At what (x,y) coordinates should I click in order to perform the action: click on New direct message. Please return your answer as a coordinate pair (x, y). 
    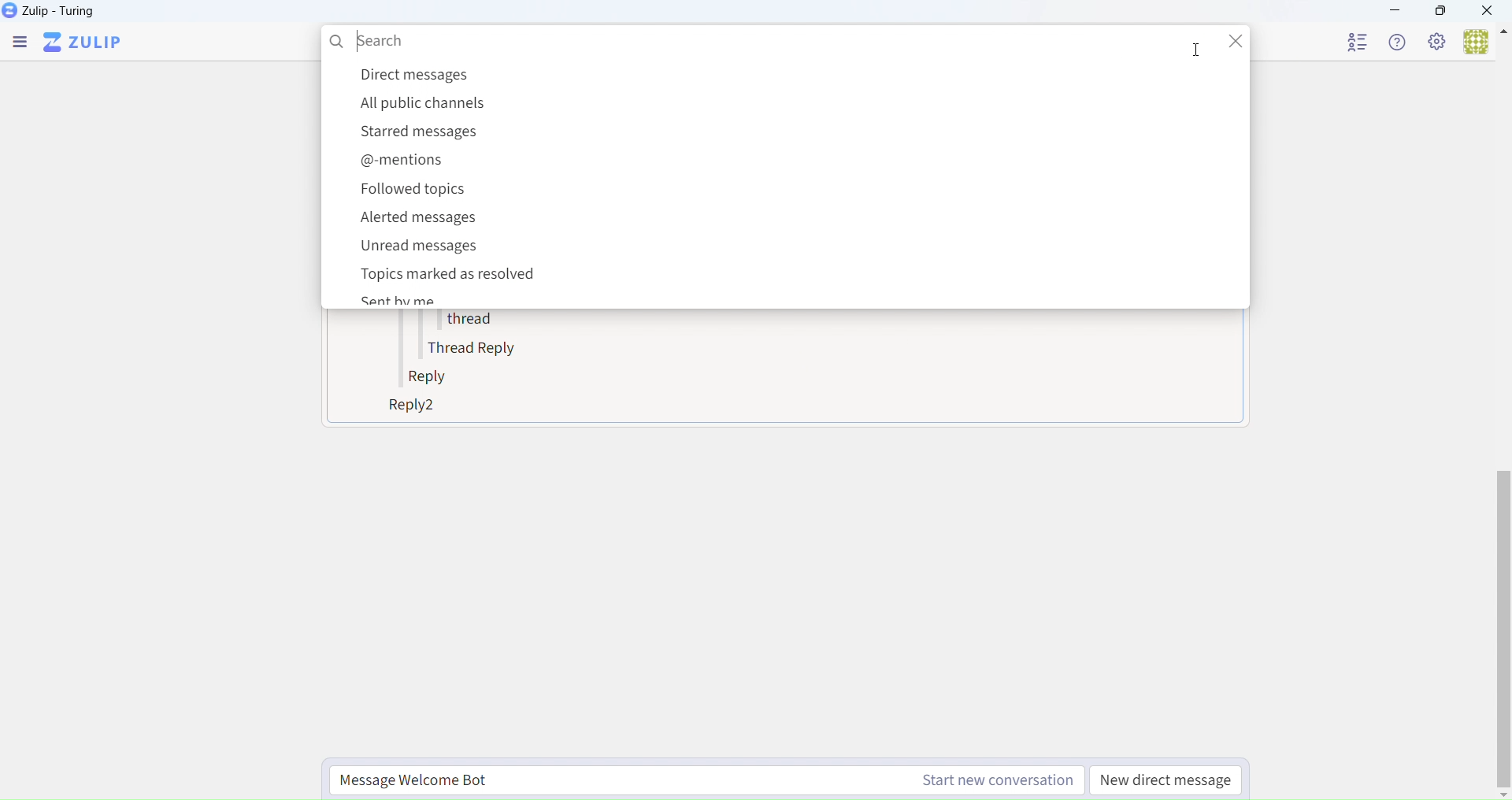
    Looking at the image, I should click on (1168, 780).